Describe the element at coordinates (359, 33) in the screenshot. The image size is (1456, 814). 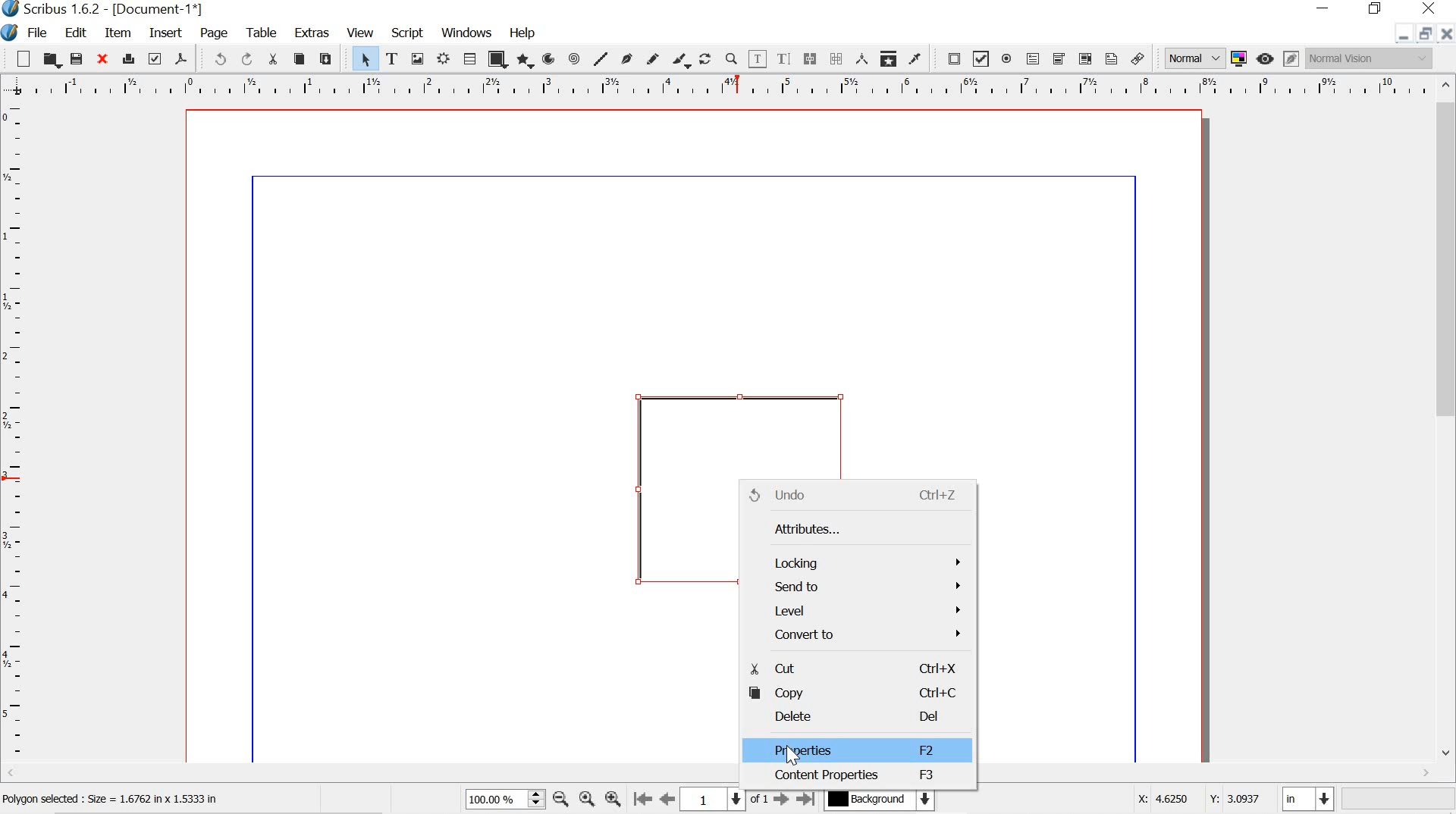
I see `VIEW` at that location.